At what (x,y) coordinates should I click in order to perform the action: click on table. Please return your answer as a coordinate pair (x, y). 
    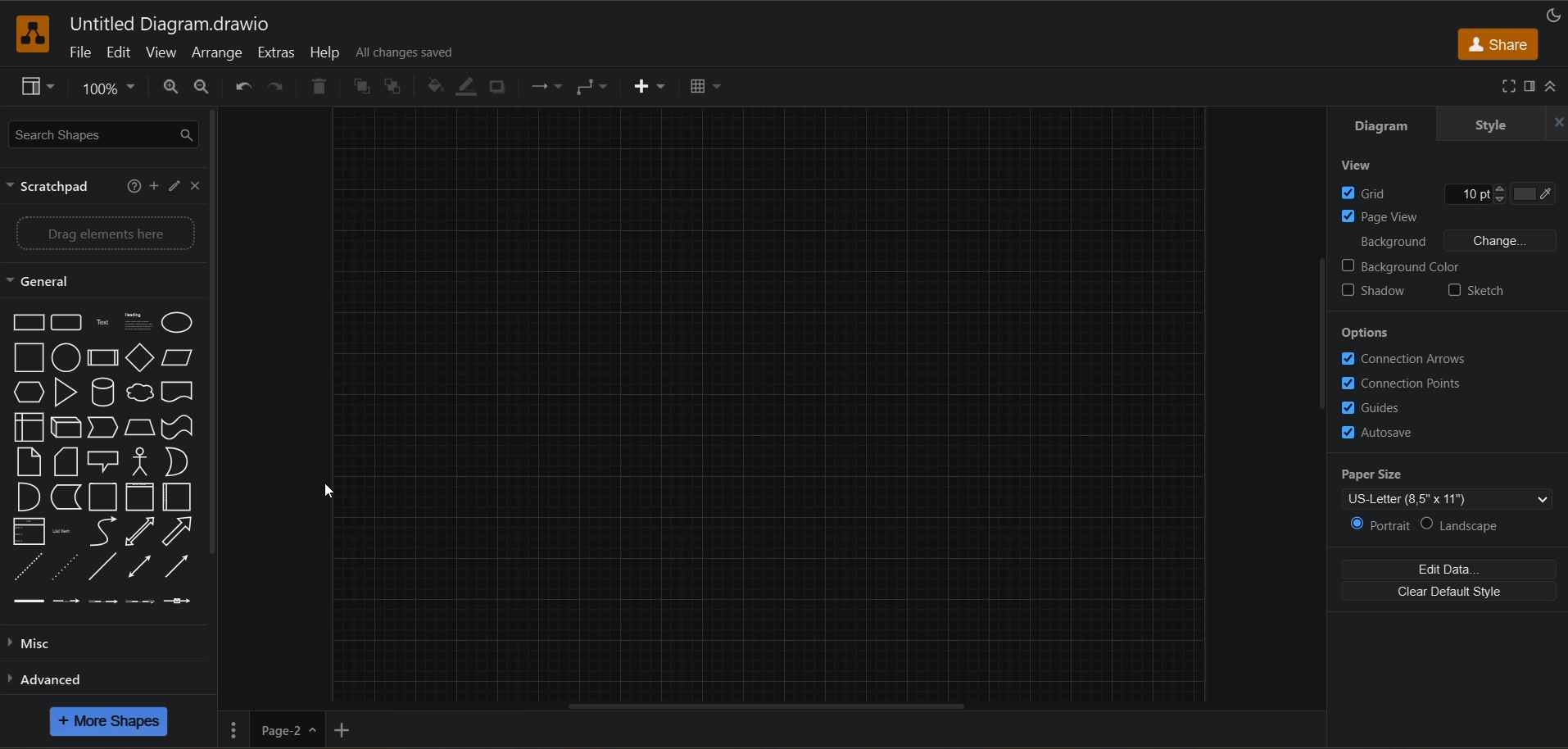
    Looking at the image, I should click on (704, 89).